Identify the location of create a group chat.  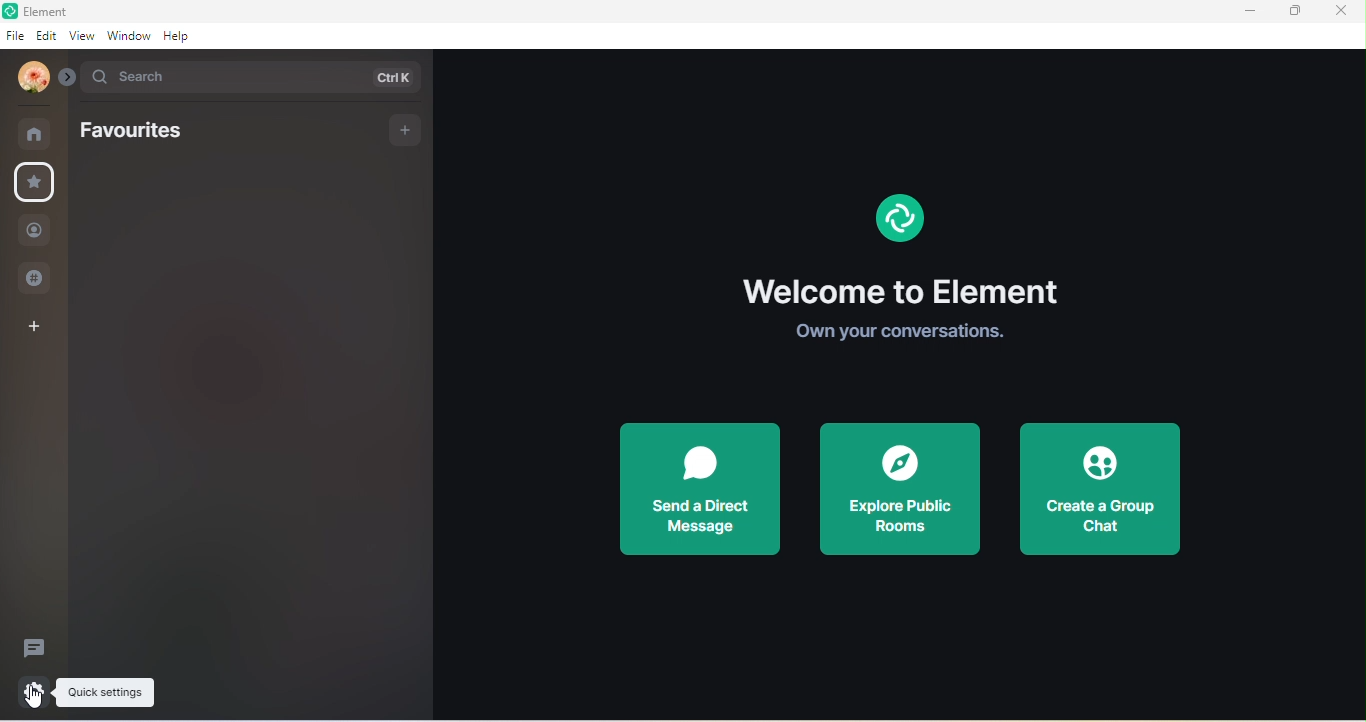
(1096, 490).